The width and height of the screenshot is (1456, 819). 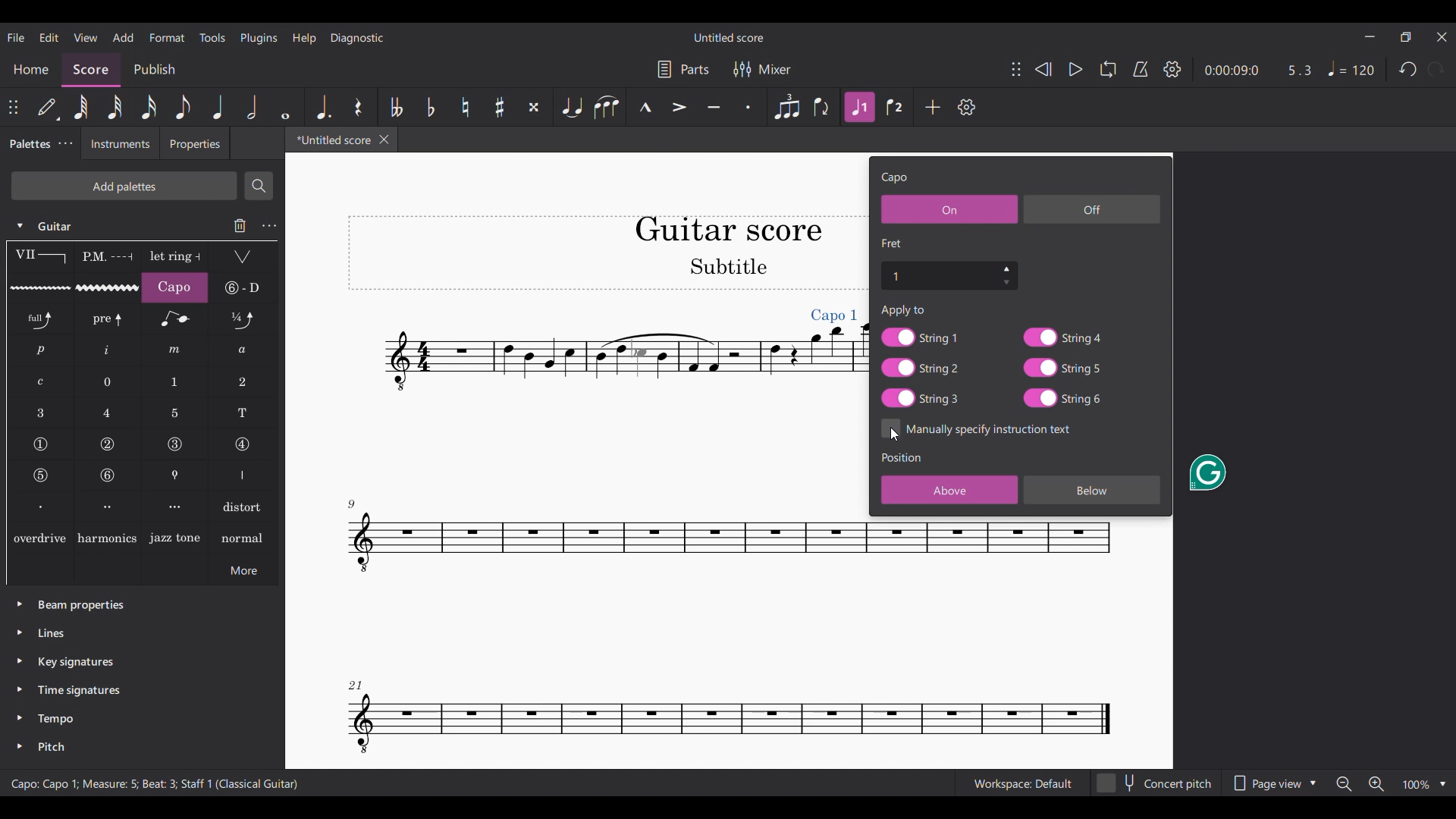 I want to click on Current duration, so click(x=1232, y=69).